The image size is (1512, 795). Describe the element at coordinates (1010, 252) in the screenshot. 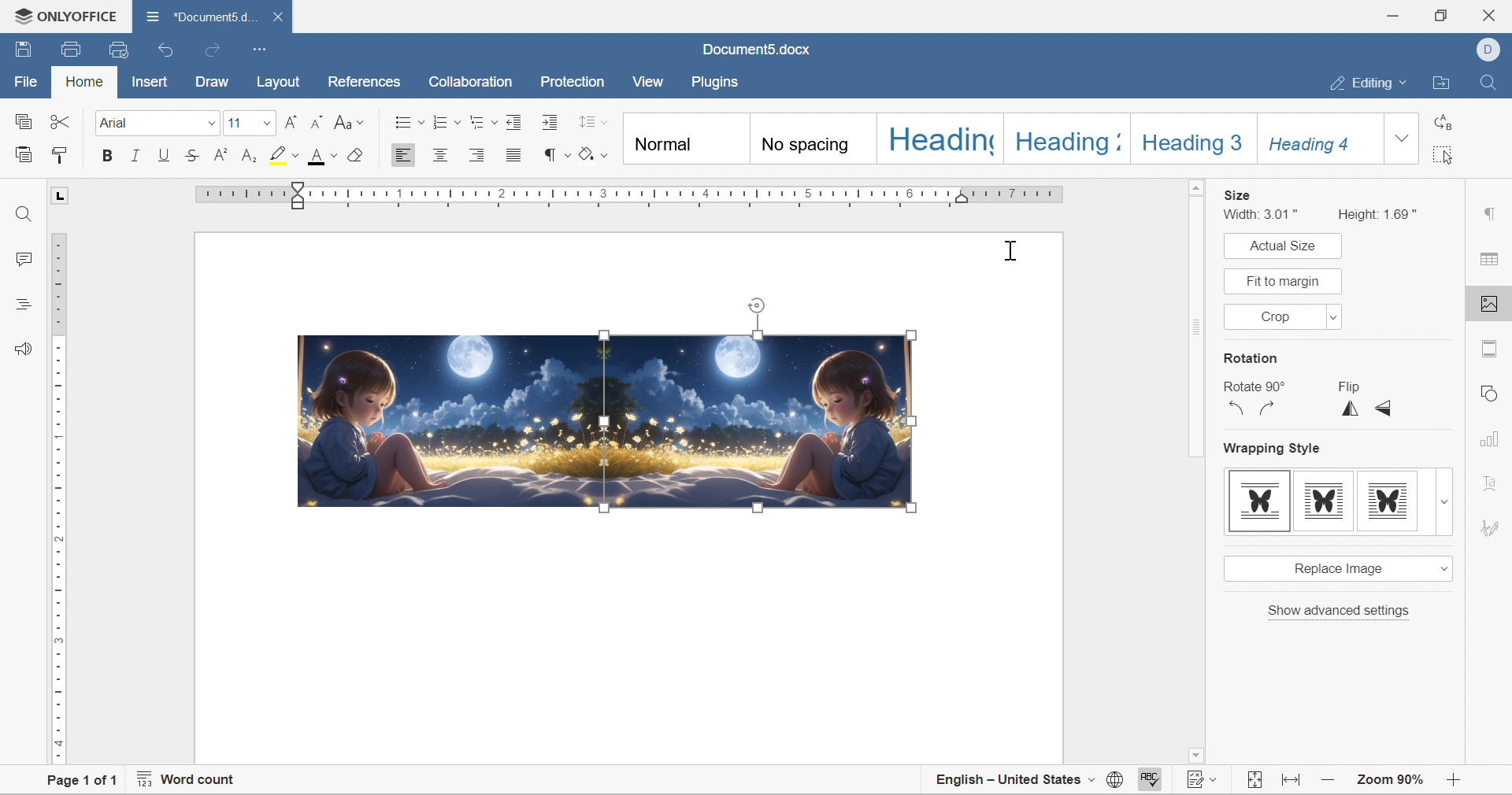

I see `cursor` at that location.